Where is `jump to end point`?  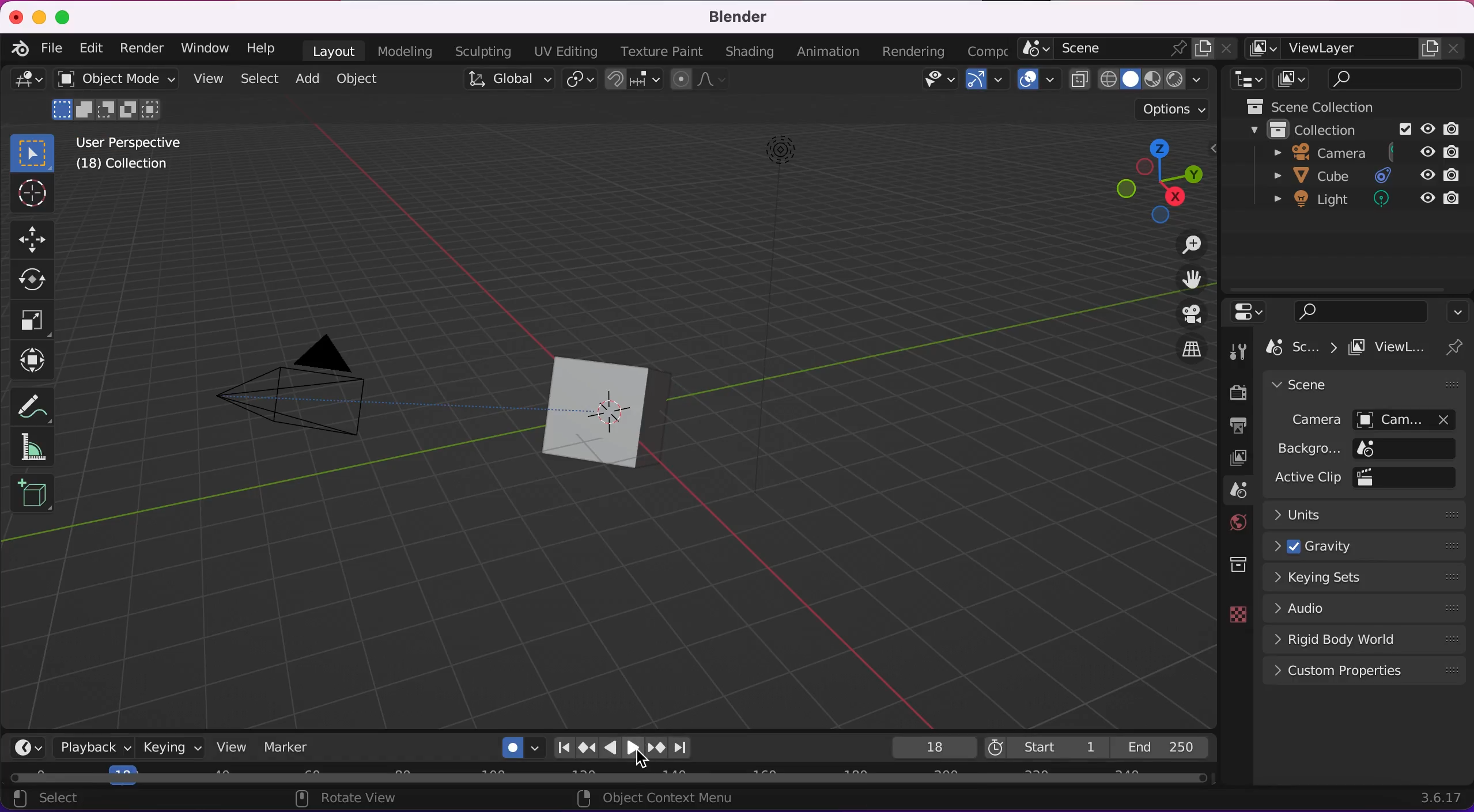 jump to end point is located at coordinates (560, 749).